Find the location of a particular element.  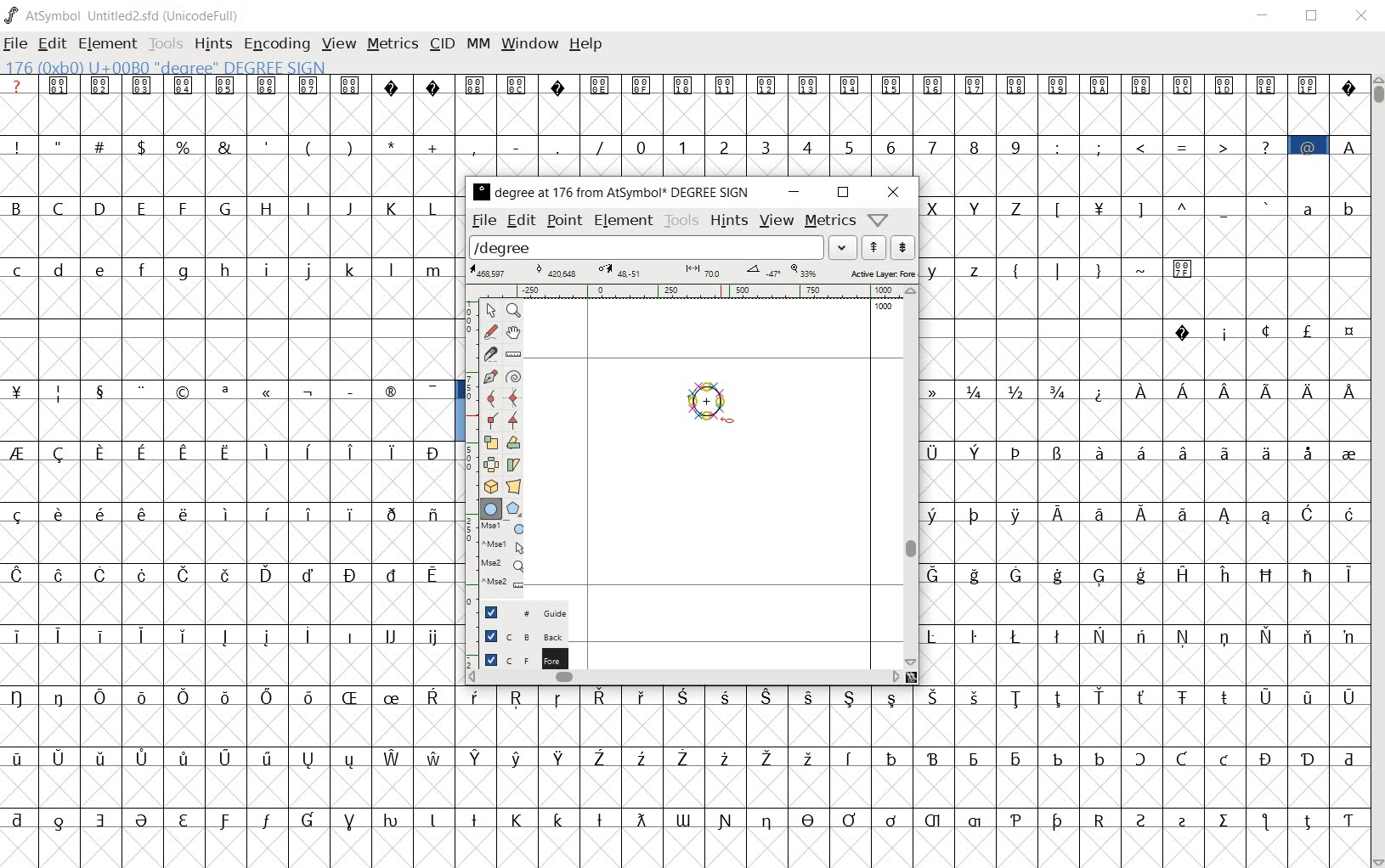

empty glyph slots is located at coordinates (232, 664).